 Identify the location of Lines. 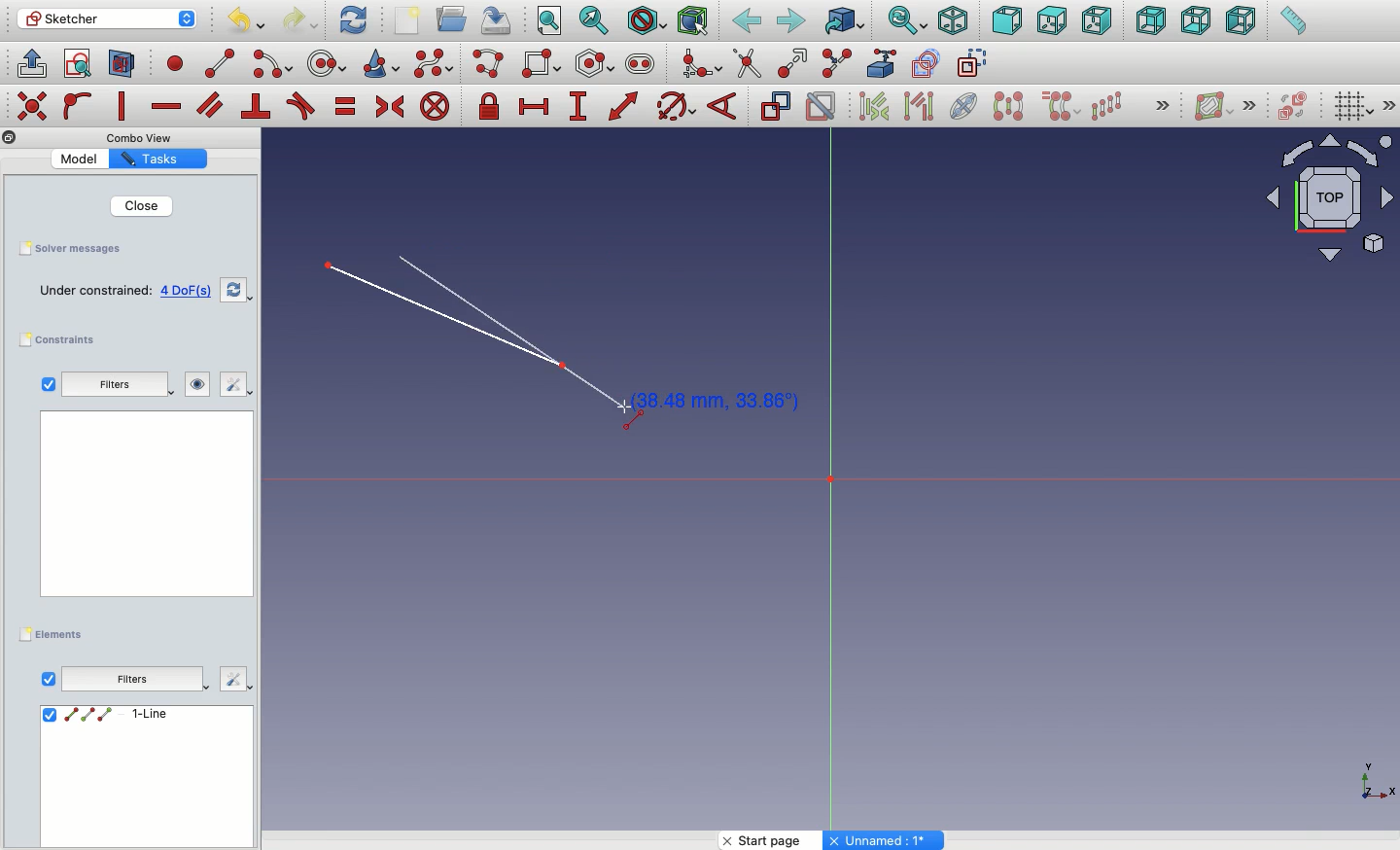
(450, 318).